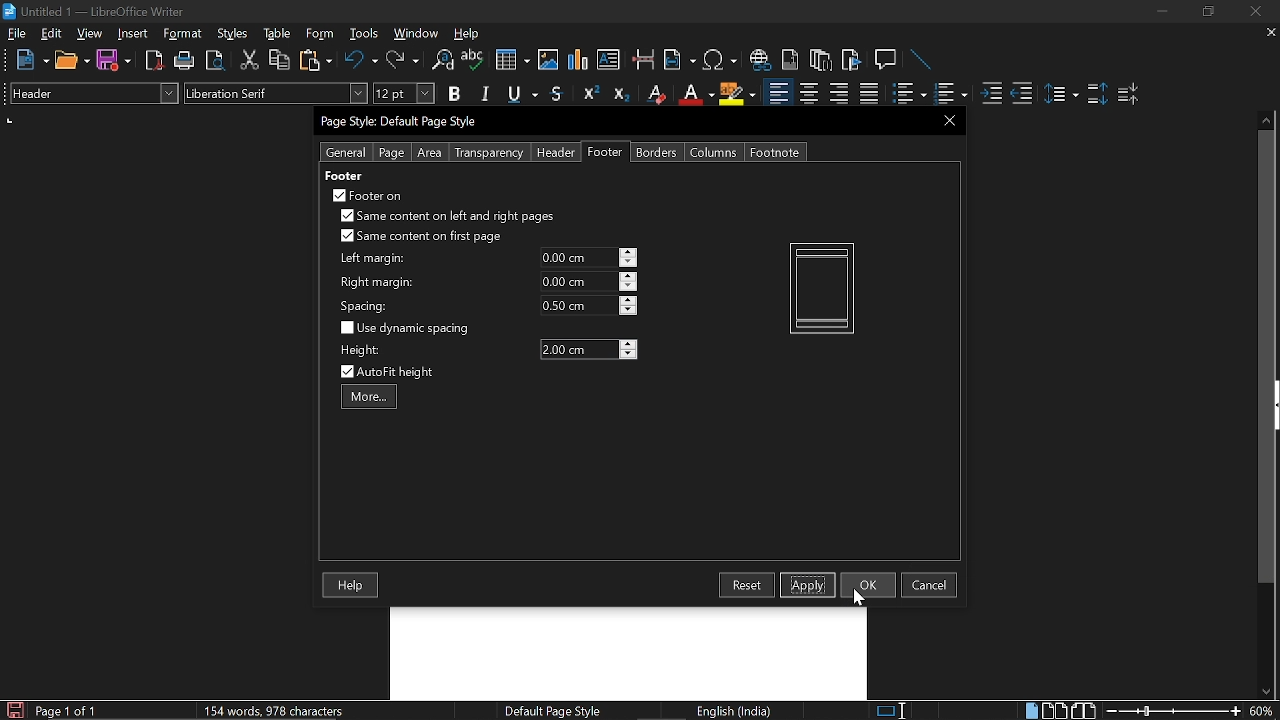 This screenshot has width=1280, height=720. Describe the element at coordinates (990, 93) in the screenshot. I see `Increase indent` at that location.